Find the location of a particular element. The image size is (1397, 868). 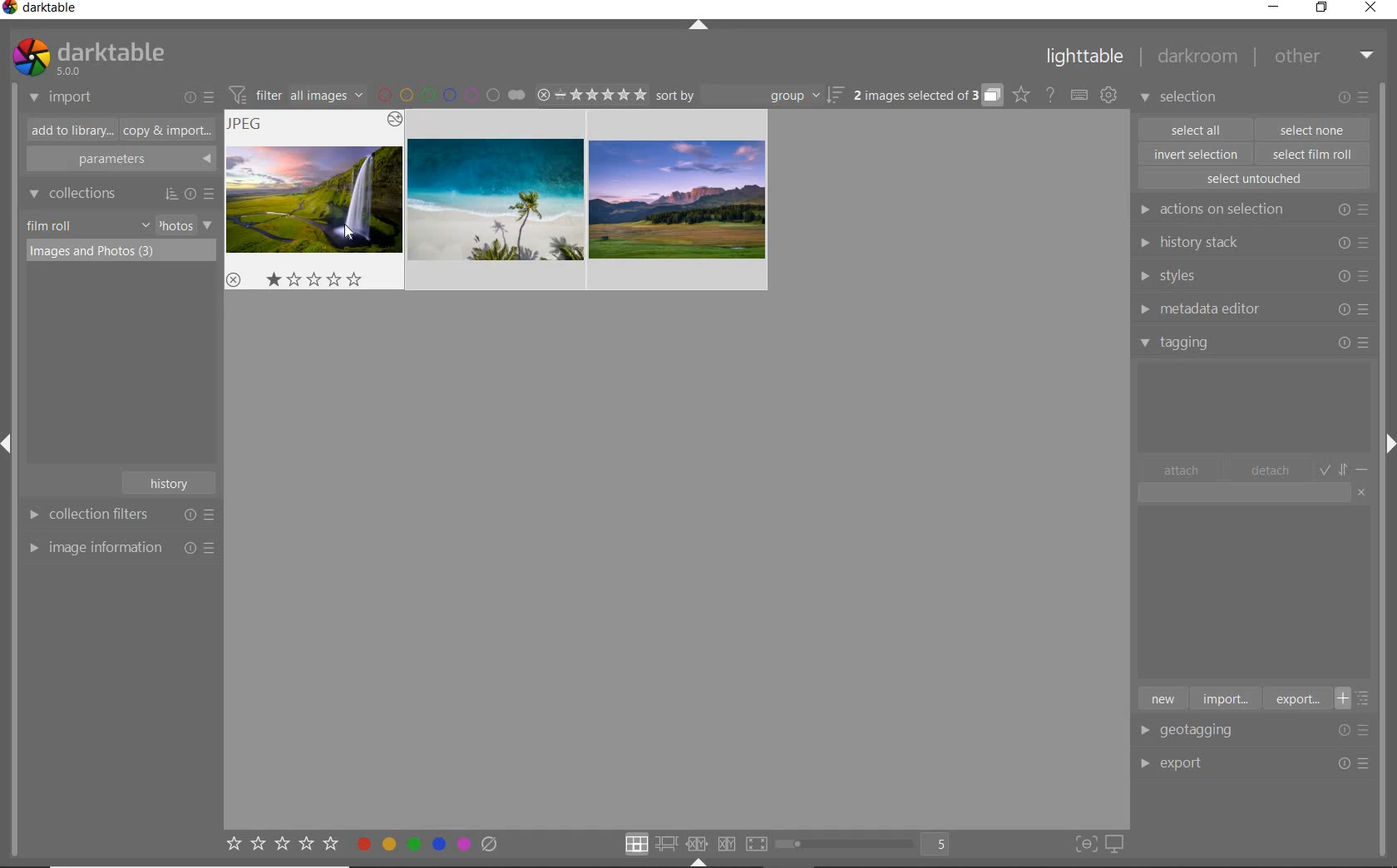

lighttable is located at coordinates (1085, 60).